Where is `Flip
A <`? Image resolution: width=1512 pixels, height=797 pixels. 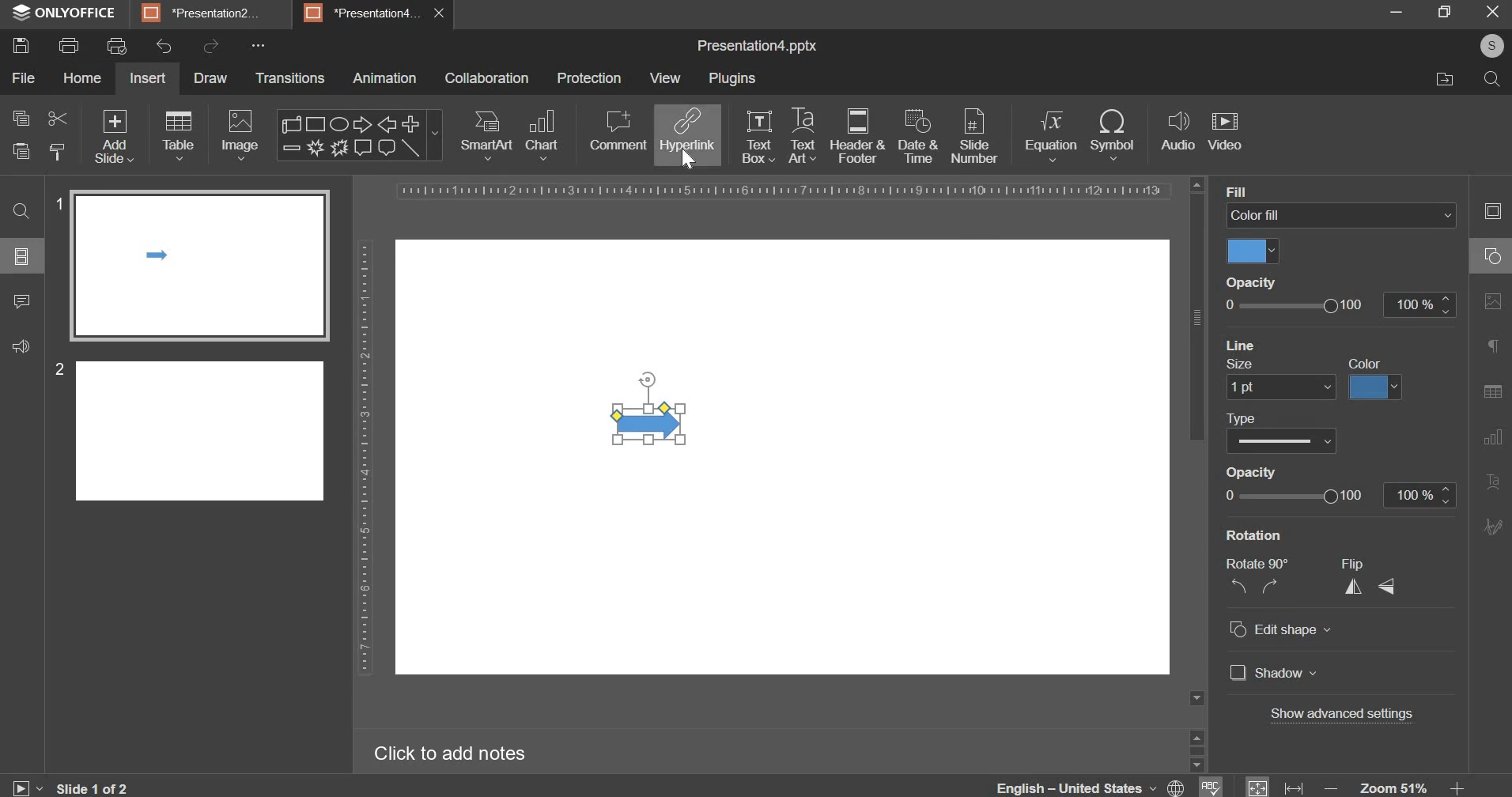 Flip
A < is located at coordinates (1370, 582).